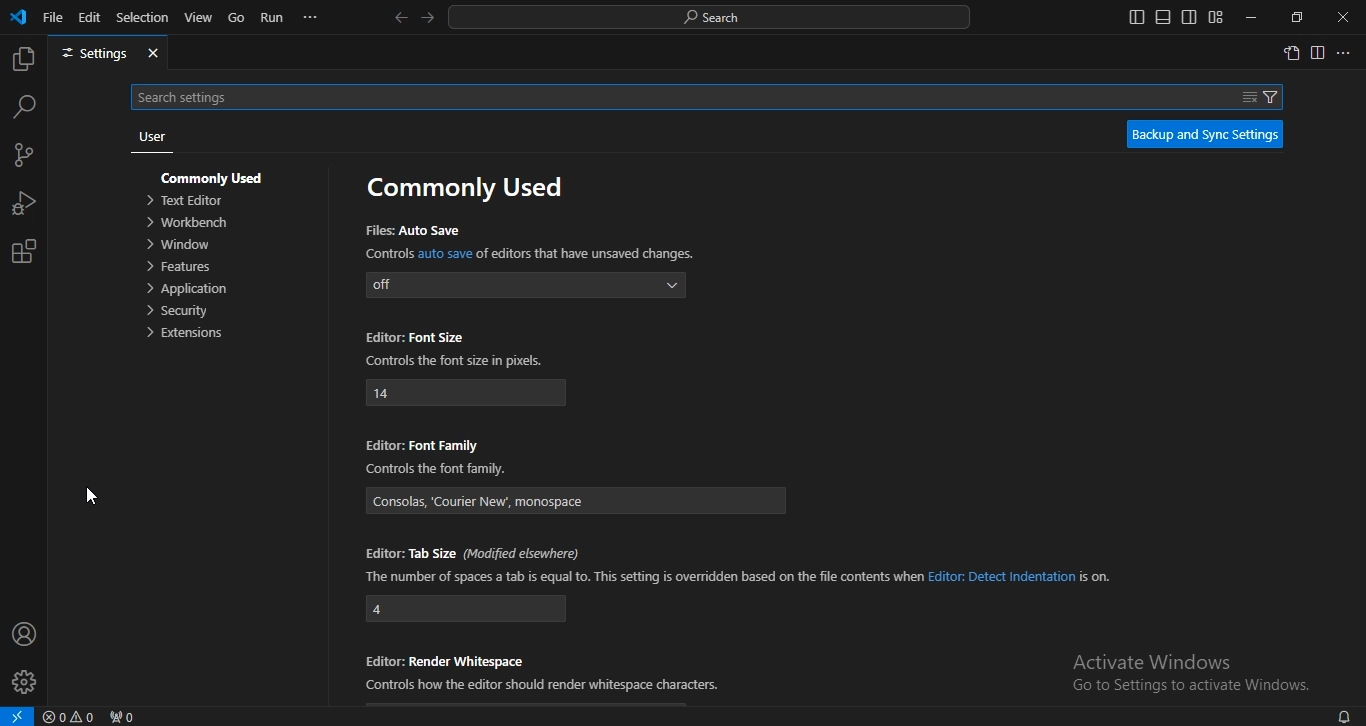 The height and width of the screenshot is (726, 1366). What do you see at coordinates (53, 16) in the screenshot?
I see `file` at bounding box center [53, 16].